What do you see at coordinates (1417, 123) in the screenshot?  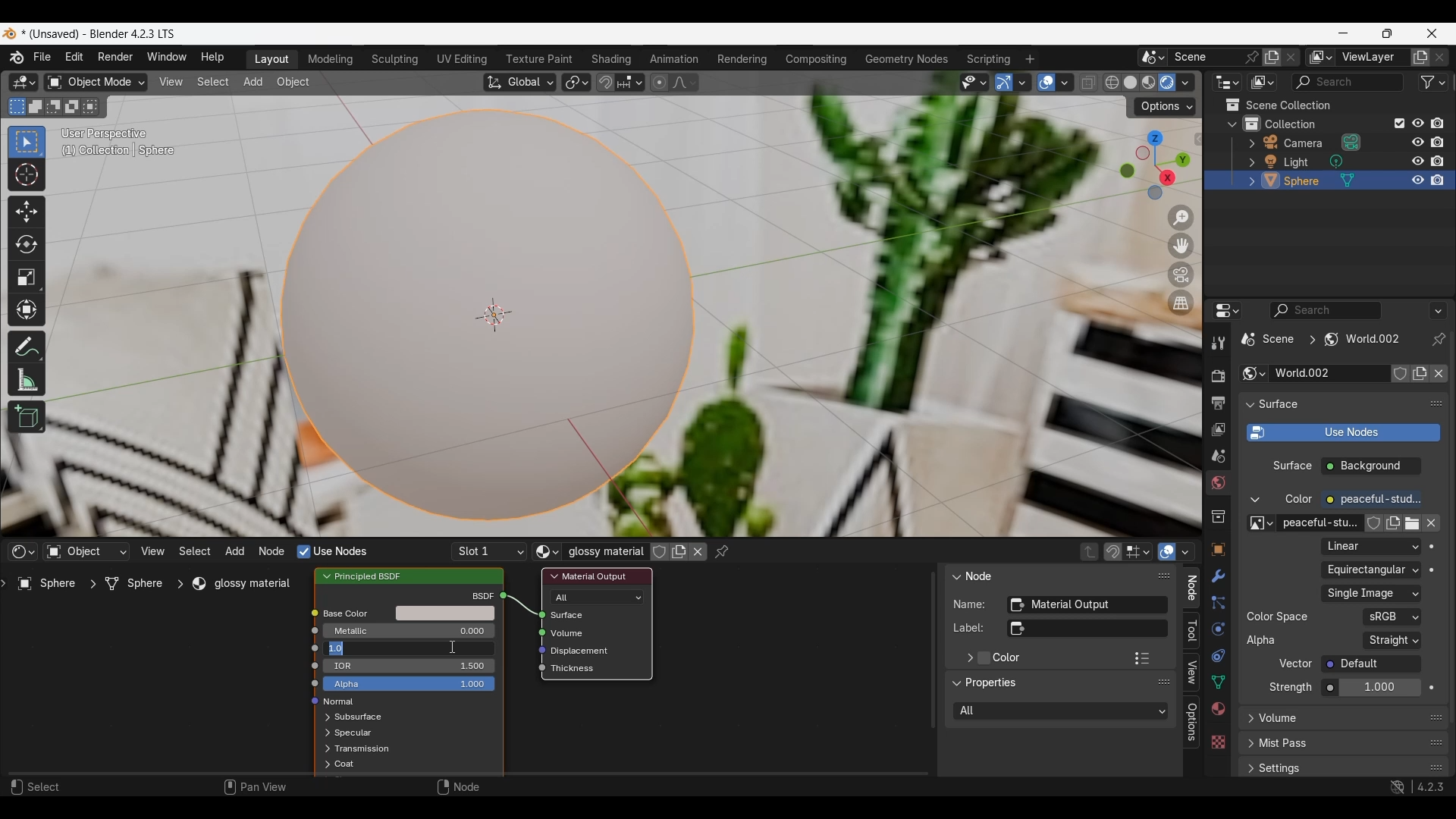 I see `Respectively hide in viewport` at bounding box center [1417, 123].